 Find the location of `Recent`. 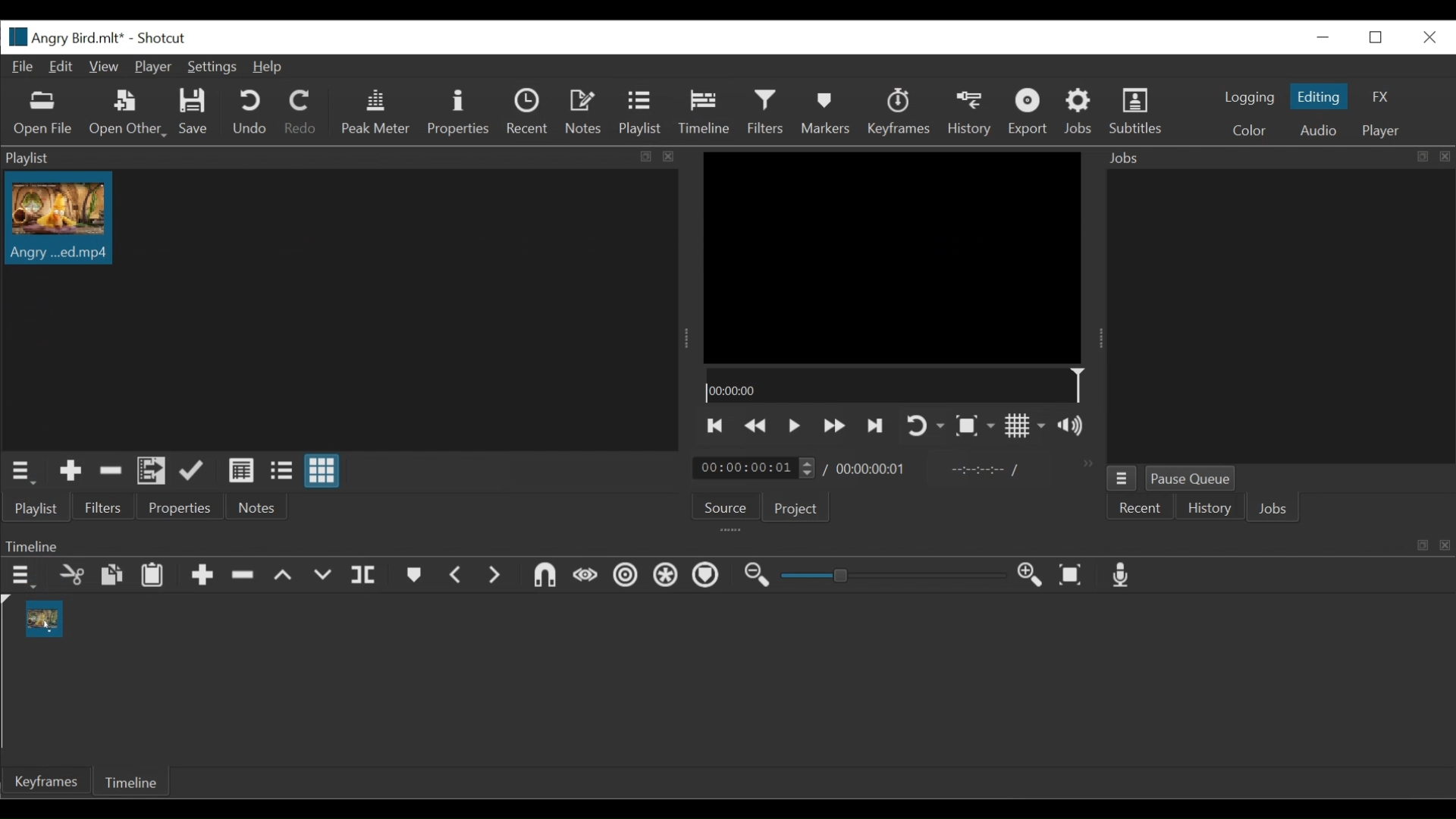

Recent is located at coordinates (1143, 508).